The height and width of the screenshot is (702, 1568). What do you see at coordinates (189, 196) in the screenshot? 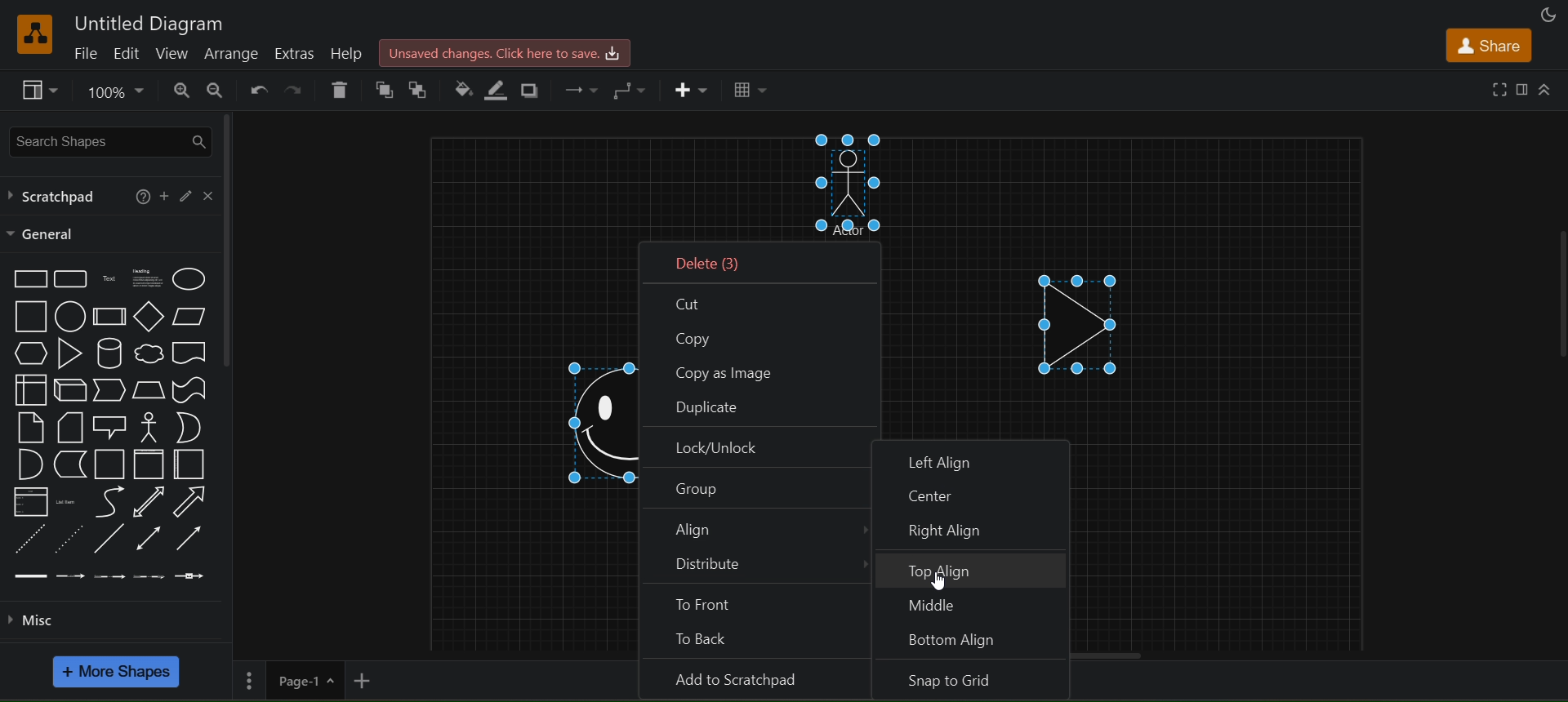
I see `edit` at bounding box center [189, 196].